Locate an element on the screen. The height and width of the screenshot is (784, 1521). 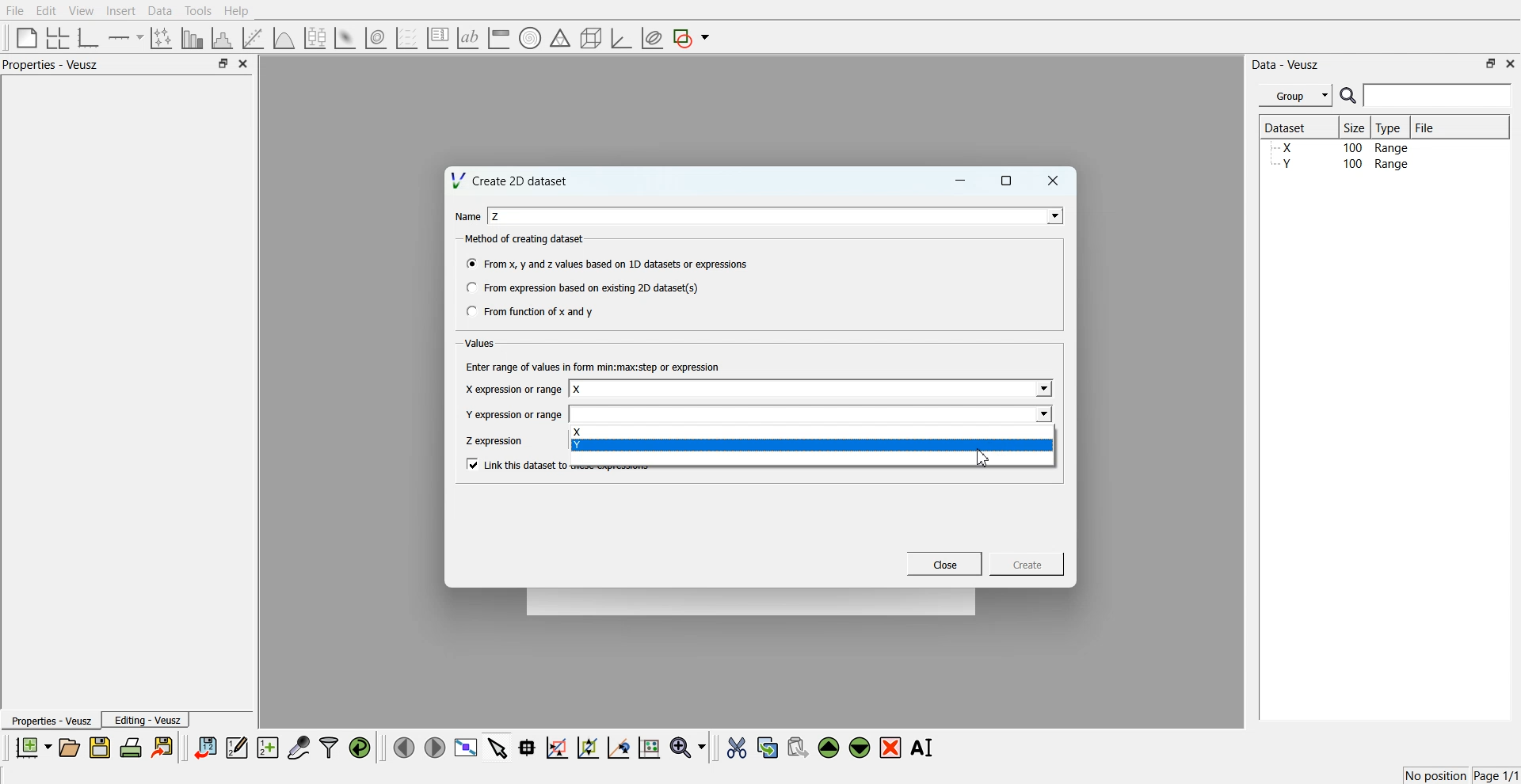
Type is located at coordinates (1390, 127).